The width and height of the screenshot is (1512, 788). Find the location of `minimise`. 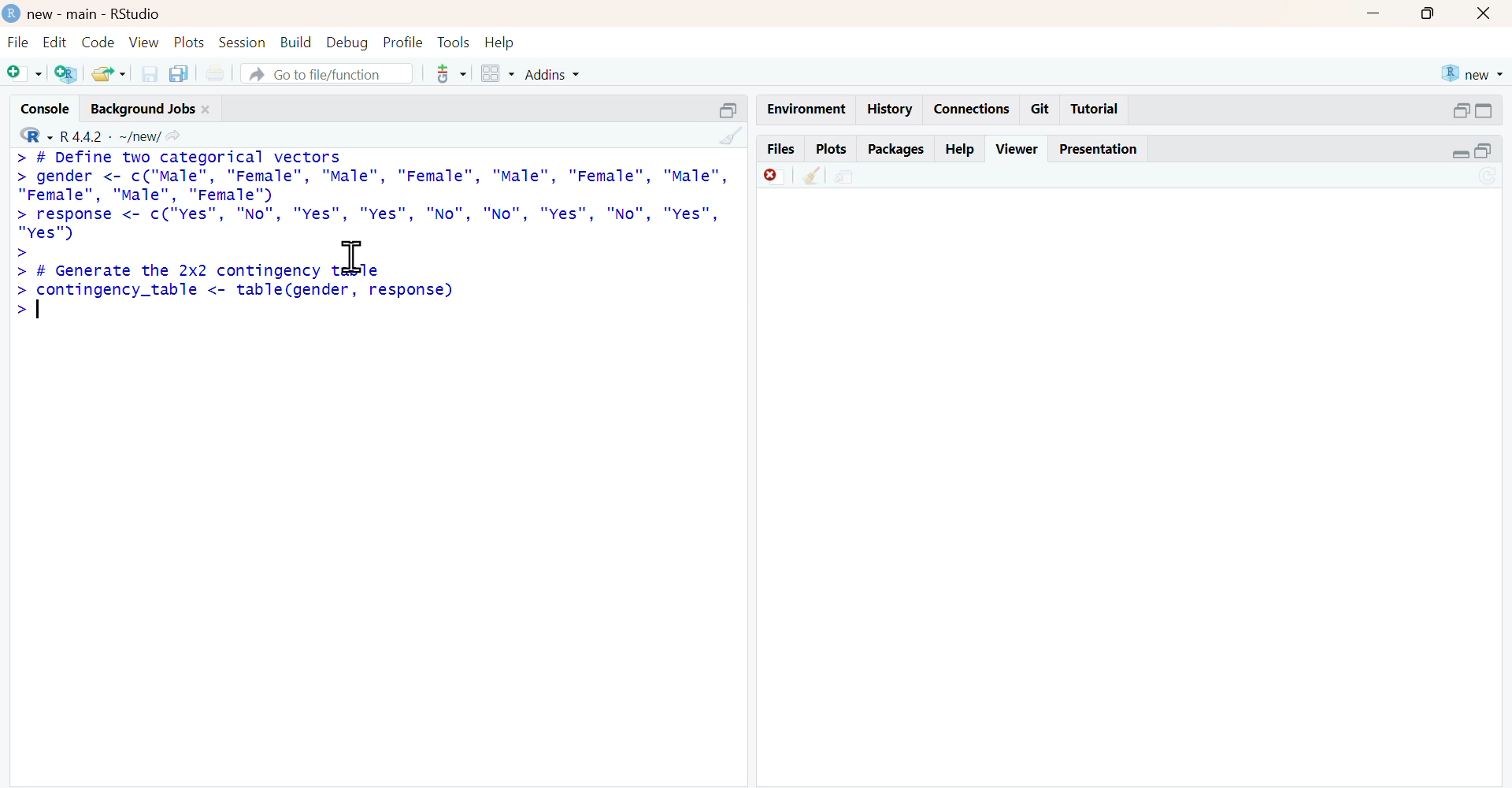

minimise is located at coordinates (1373, 13).